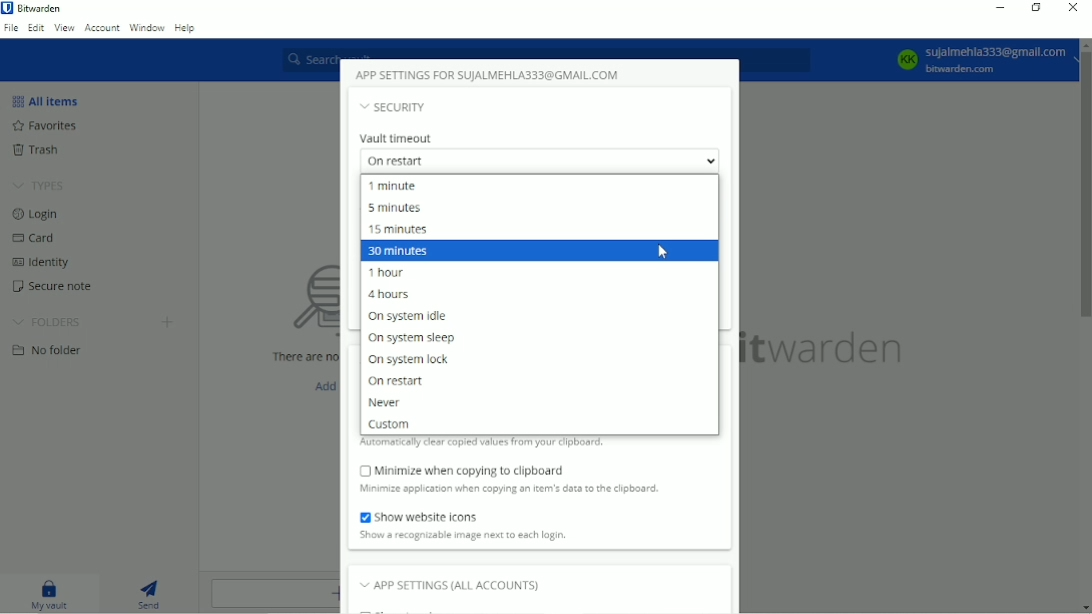 This screenshot has height=614, width=1092. I want to click on Login, so click(40, 215).